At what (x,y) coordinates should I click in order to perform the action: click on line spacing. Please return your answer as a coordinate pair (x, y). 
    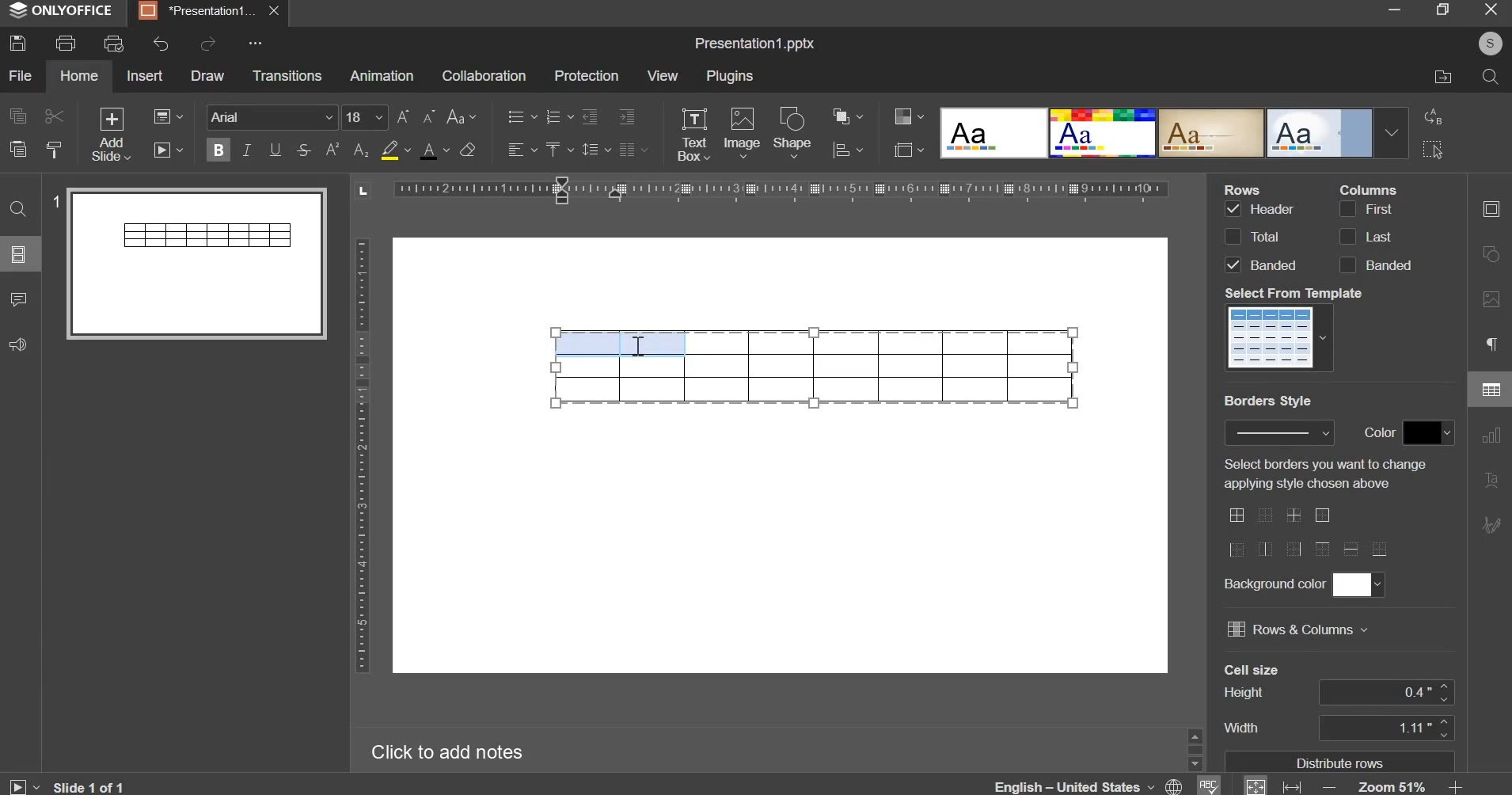
    Looking at the image, I should click on (595, 150).